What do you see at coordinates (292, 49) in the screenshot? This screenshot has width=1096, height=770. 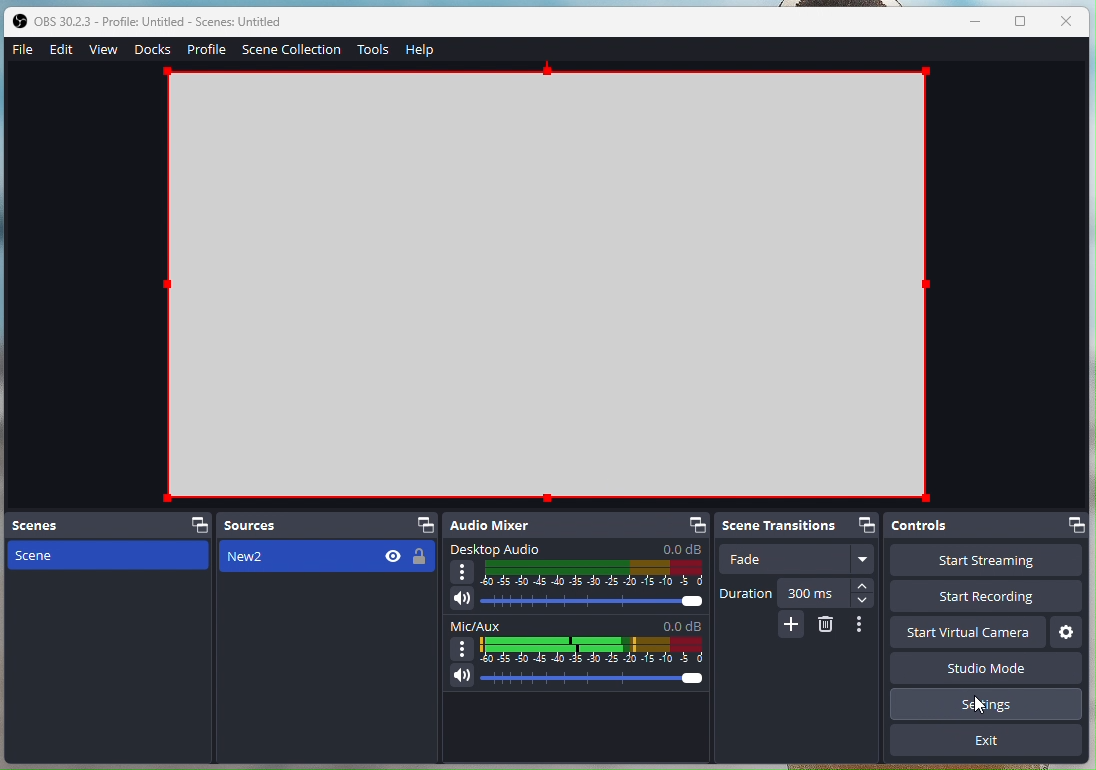 I see `Scene Collection` at bounding box center [292, 49].